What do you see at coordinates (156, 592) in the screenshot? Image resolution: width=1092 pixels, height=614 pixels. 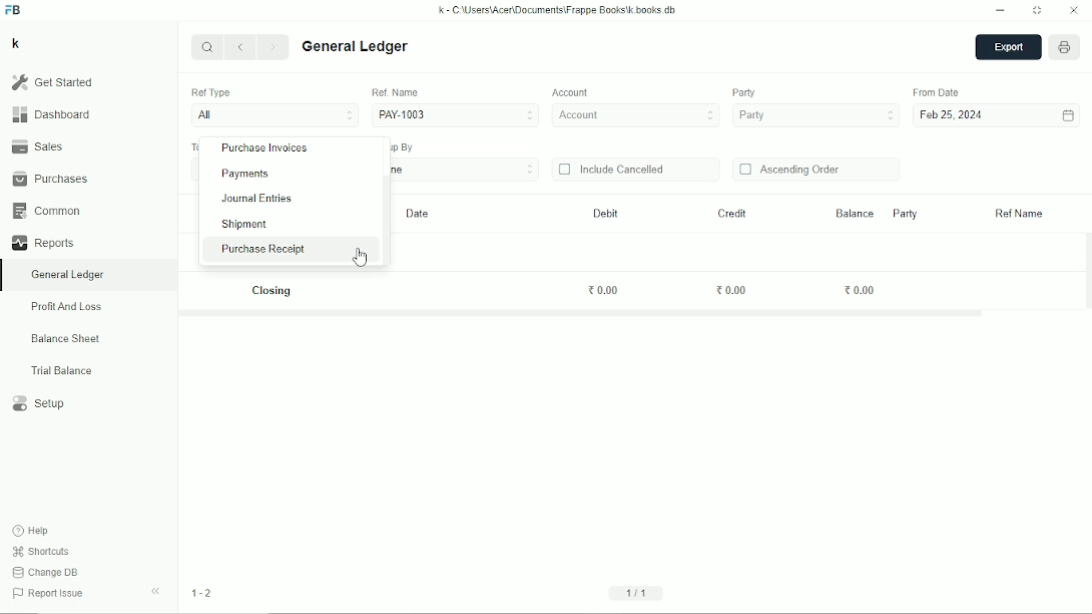 I see `Hide sidebar` at bounding box center [156, 592].